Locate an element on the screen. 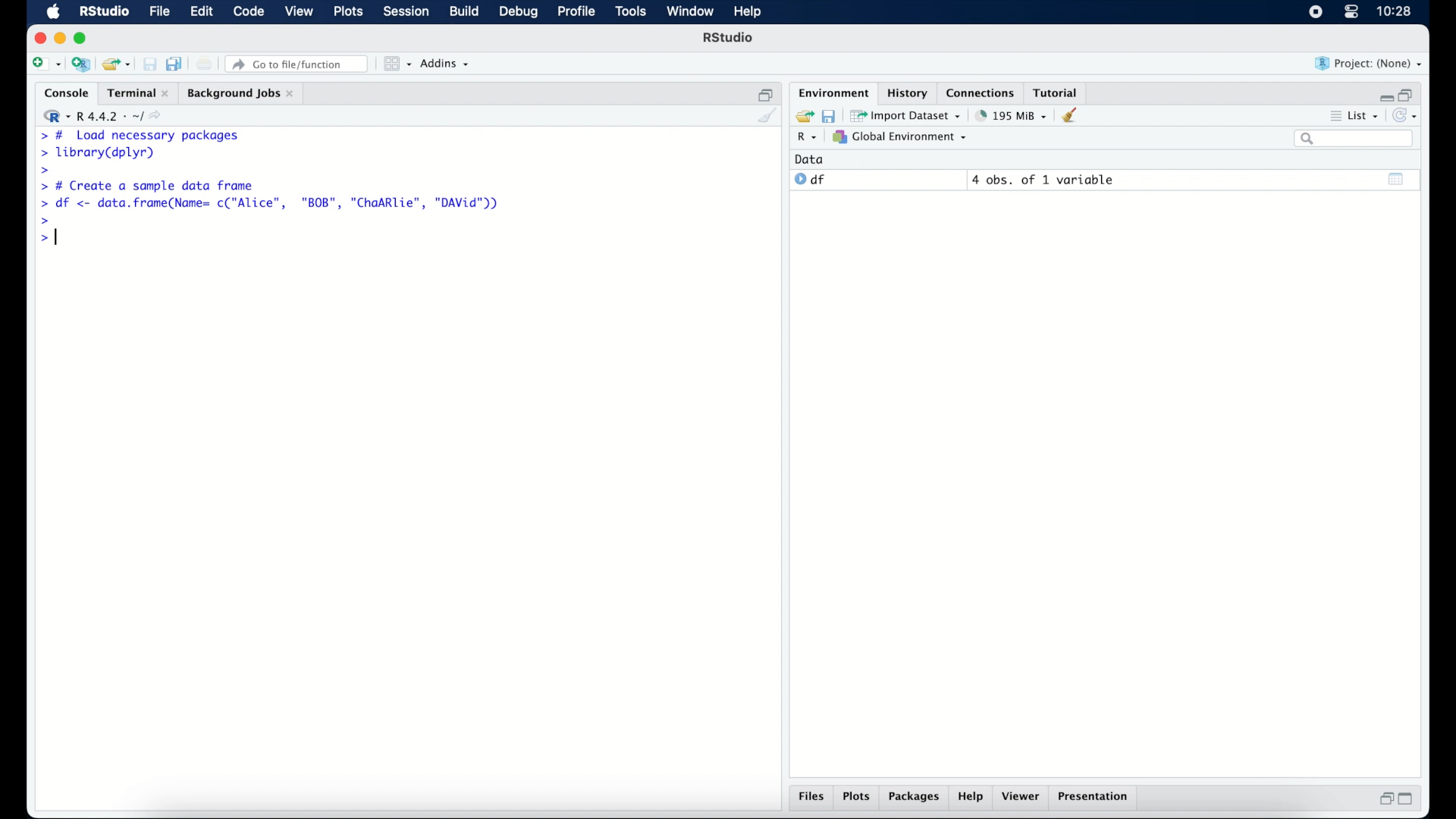 The width and height of the screenshot is (1456, 819). edit is located at coordinates (200, 12).